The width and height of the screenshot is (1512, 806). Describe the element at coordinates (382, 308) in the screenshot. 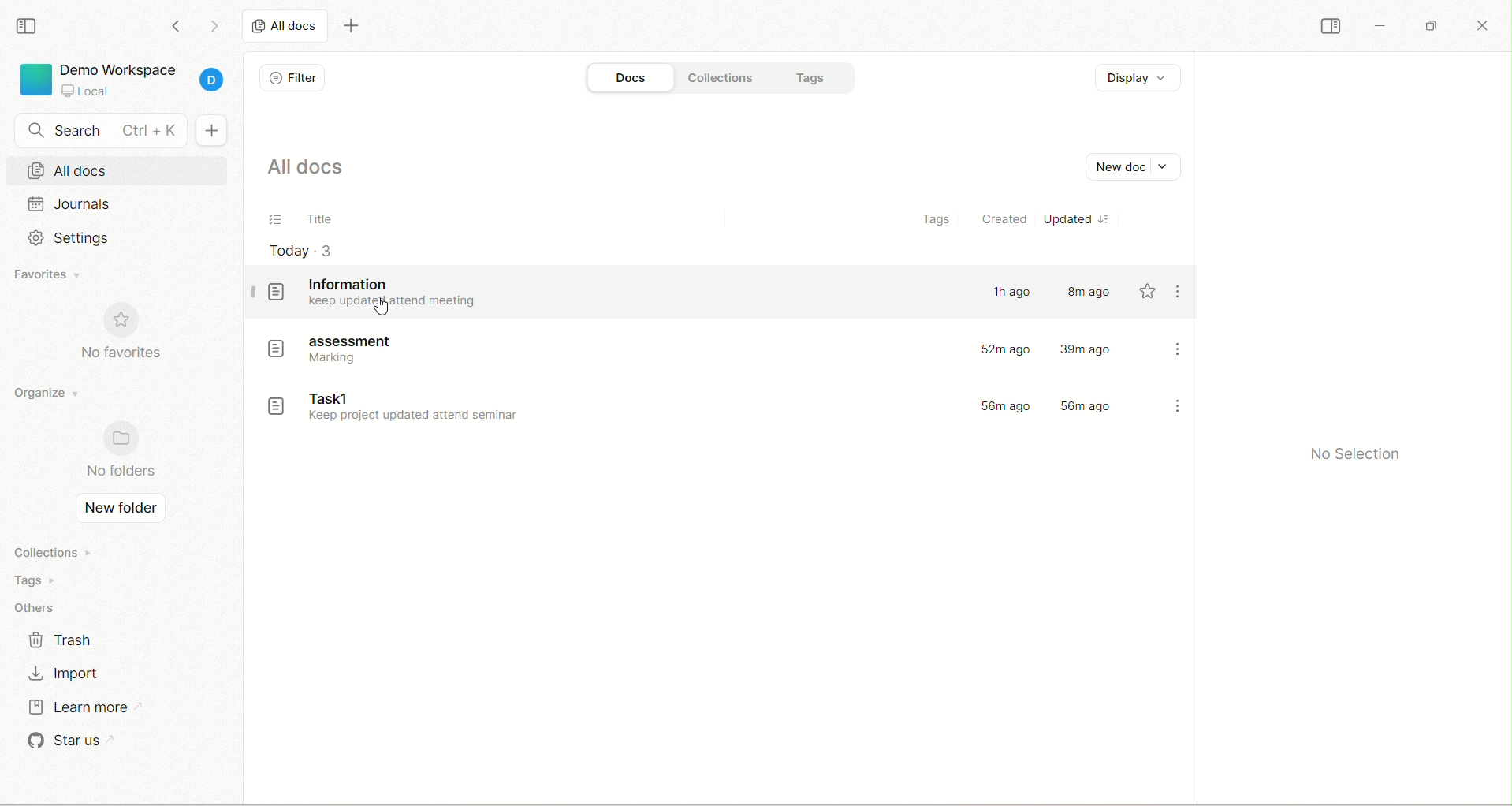

I see `cursor` at that location.